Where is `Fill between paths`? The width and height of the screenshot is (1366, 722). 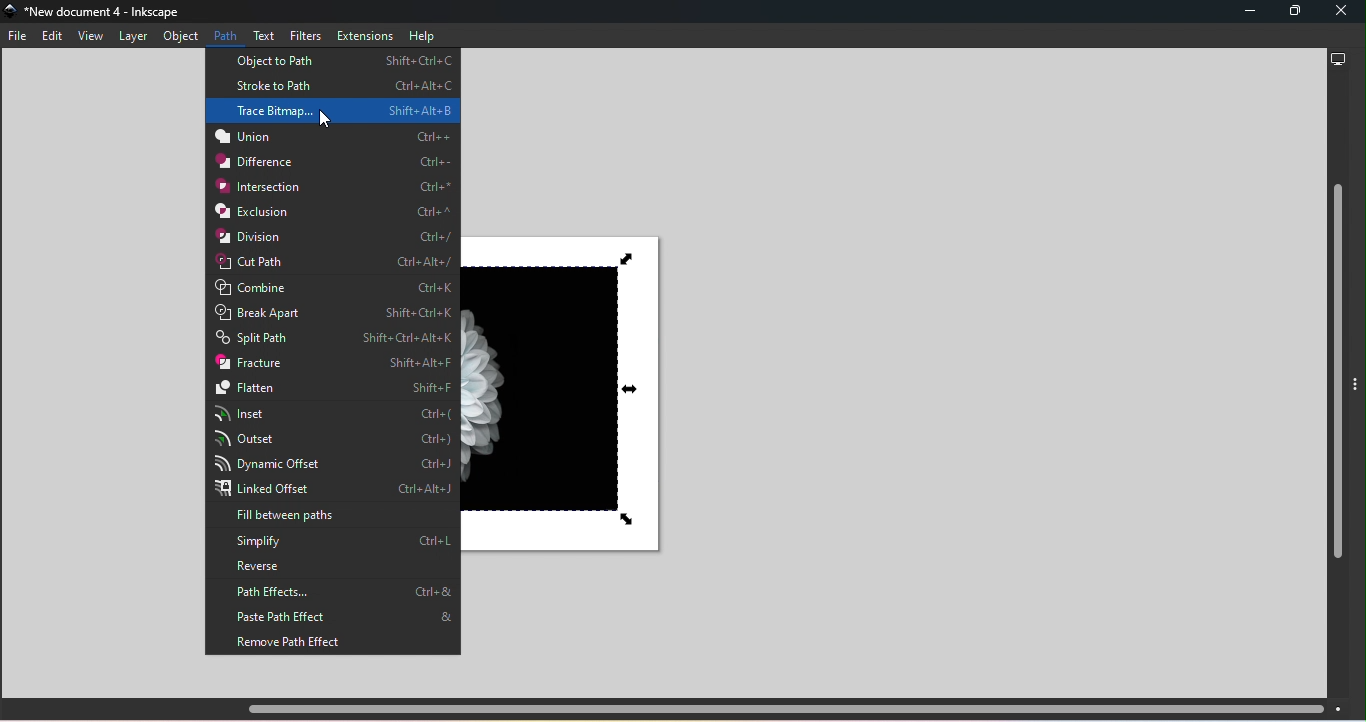 Fill between paths is located at coordinates (339, 516).